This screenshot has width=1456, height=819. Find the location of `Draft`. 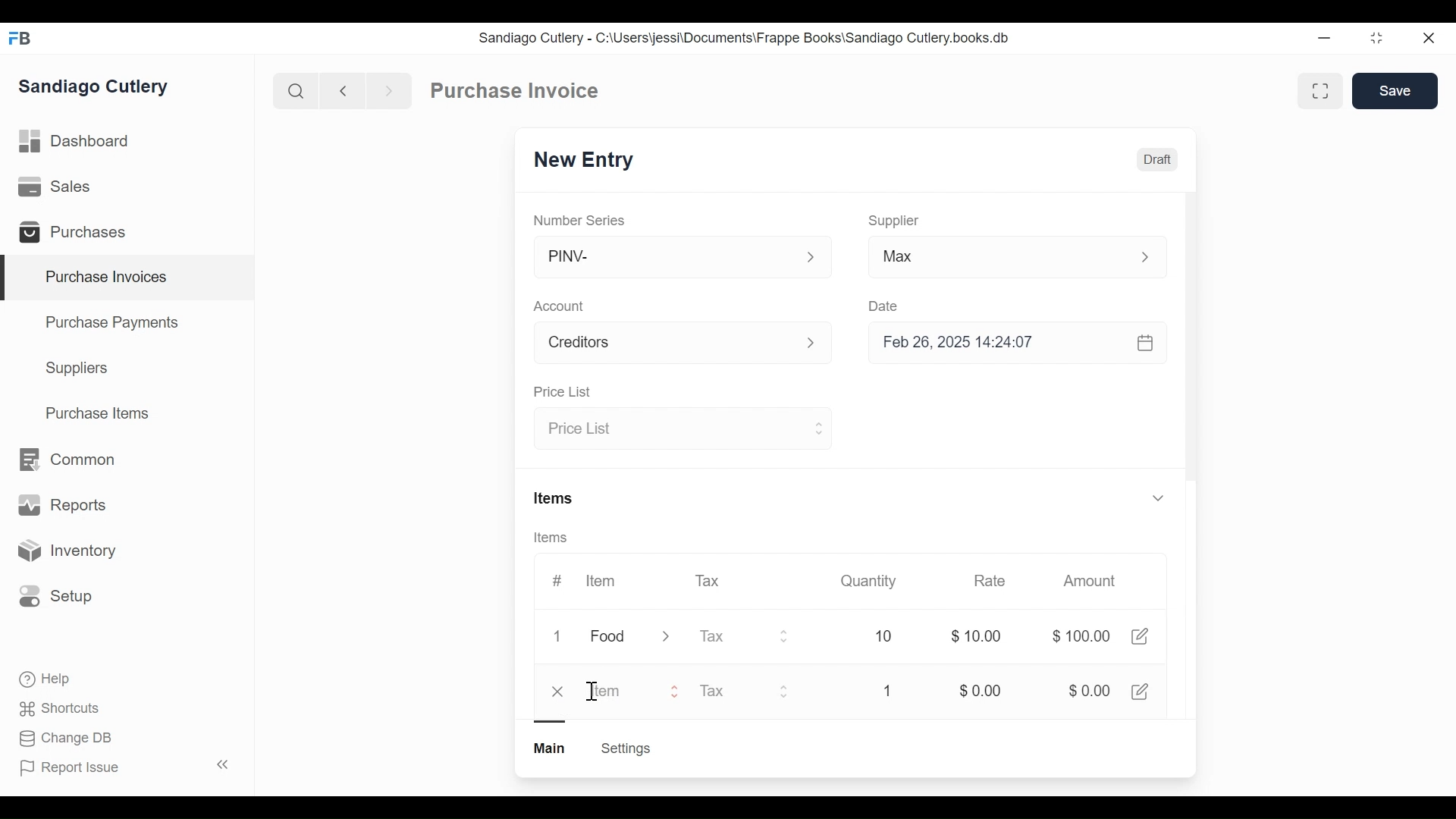

Draft is located at coordinates (1158, 162).